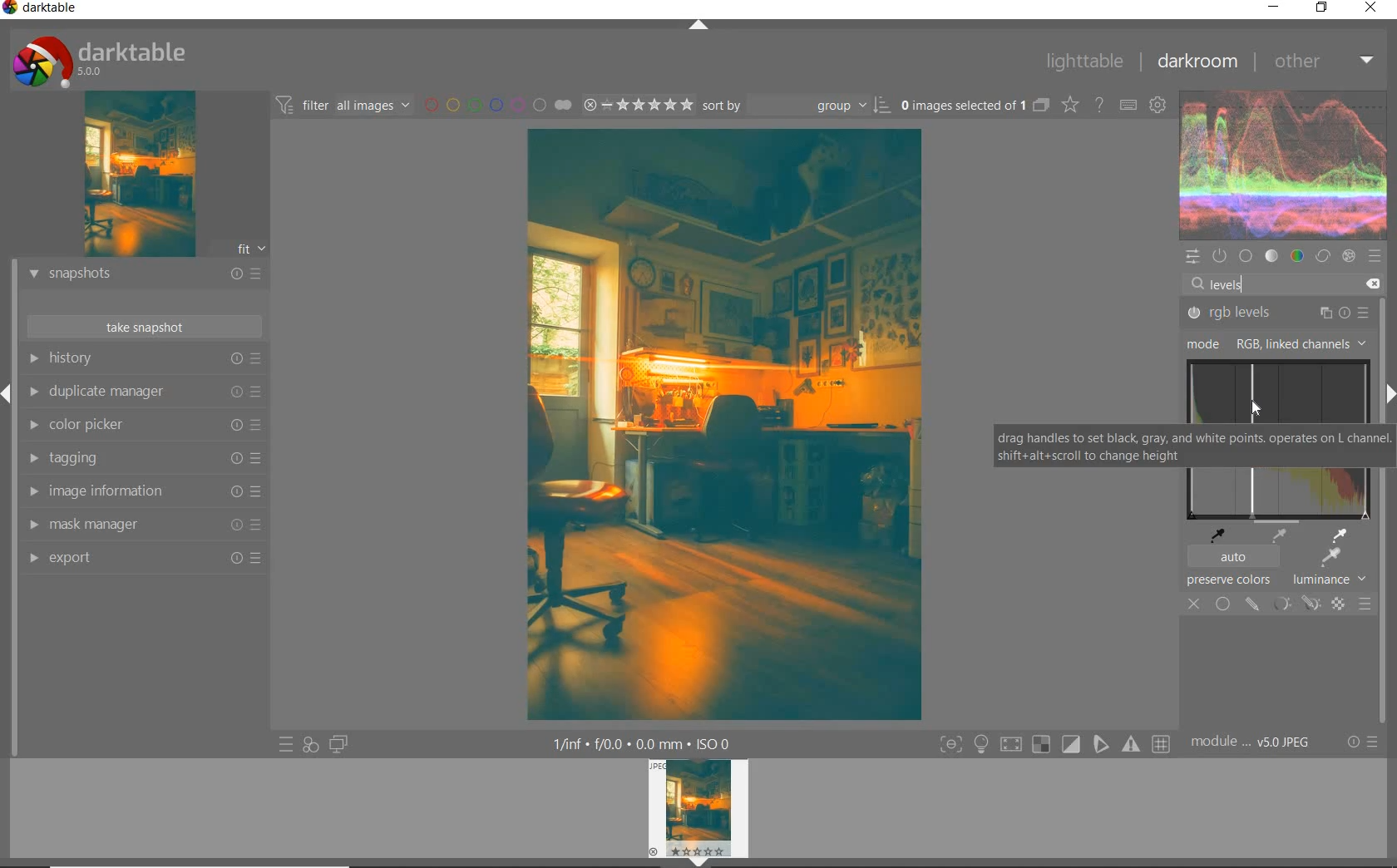  I want to click on color, so click(1299, 254).